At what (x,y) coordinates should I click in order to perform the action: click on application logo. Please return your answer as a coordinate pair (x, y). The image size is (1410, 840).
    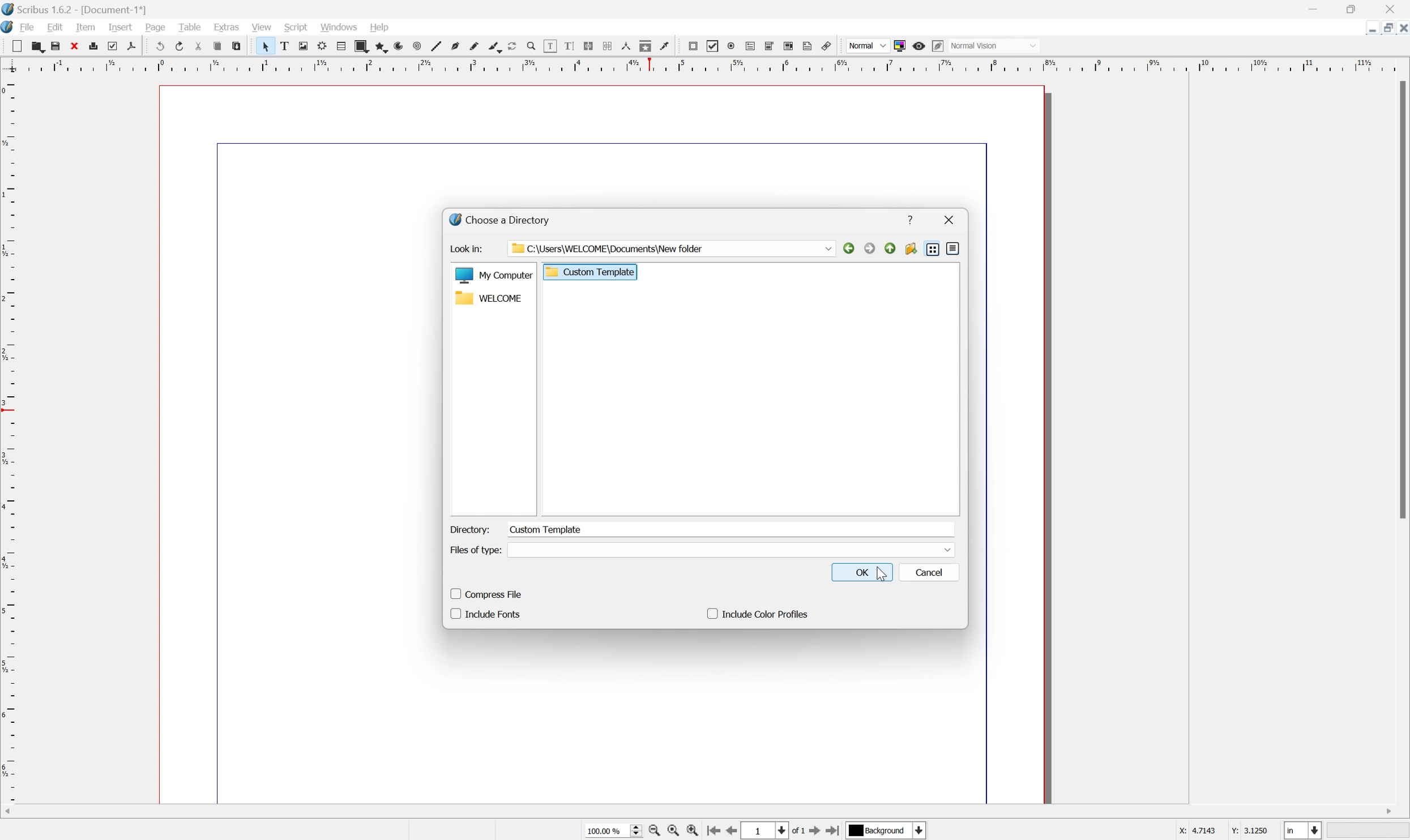
    Looking at the image, I should click on (9, 27).